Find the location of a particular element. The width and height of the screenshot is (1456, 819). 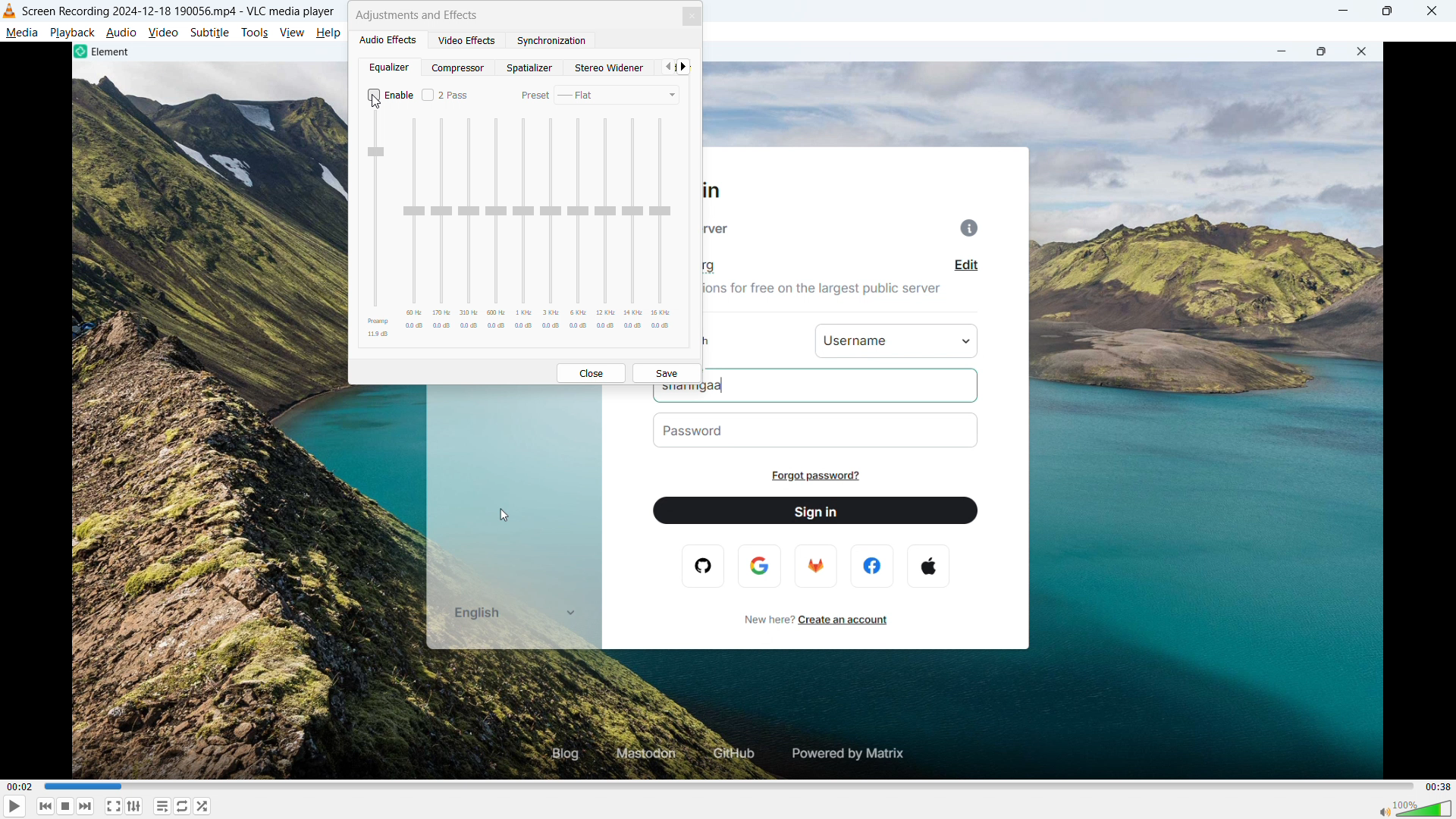

18 190056.mp4 -VLC- medial player is located at coordinates (180, 11).